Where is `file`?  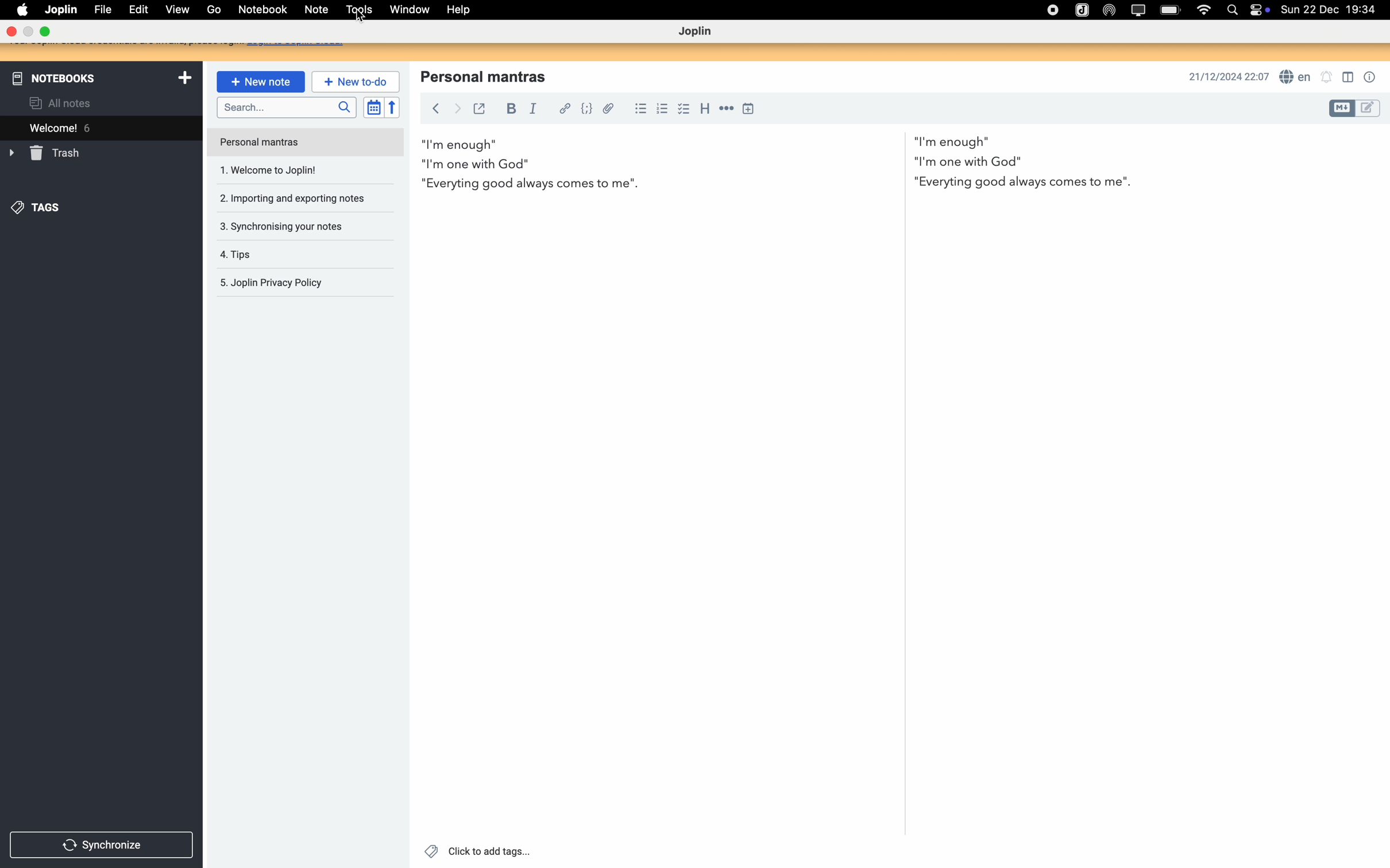 file is located at coordinates (103, 9).